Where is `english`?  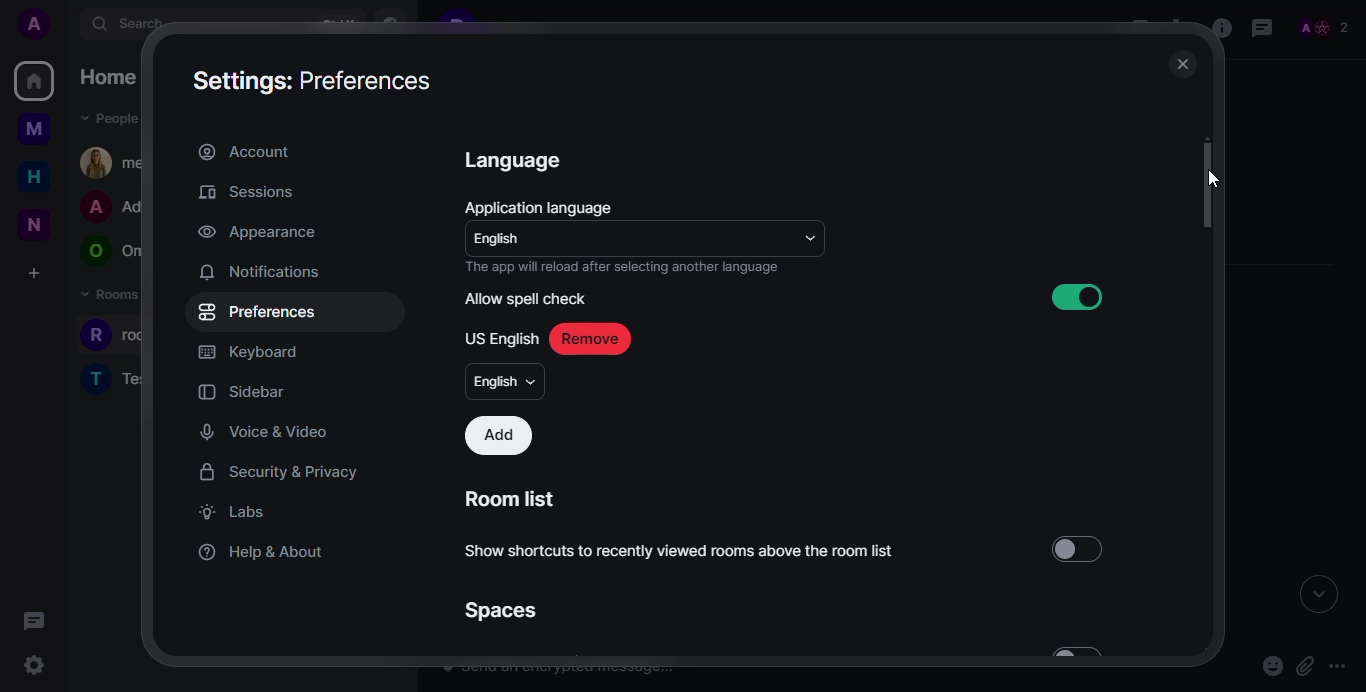
english is located at coordinates (506, 381).